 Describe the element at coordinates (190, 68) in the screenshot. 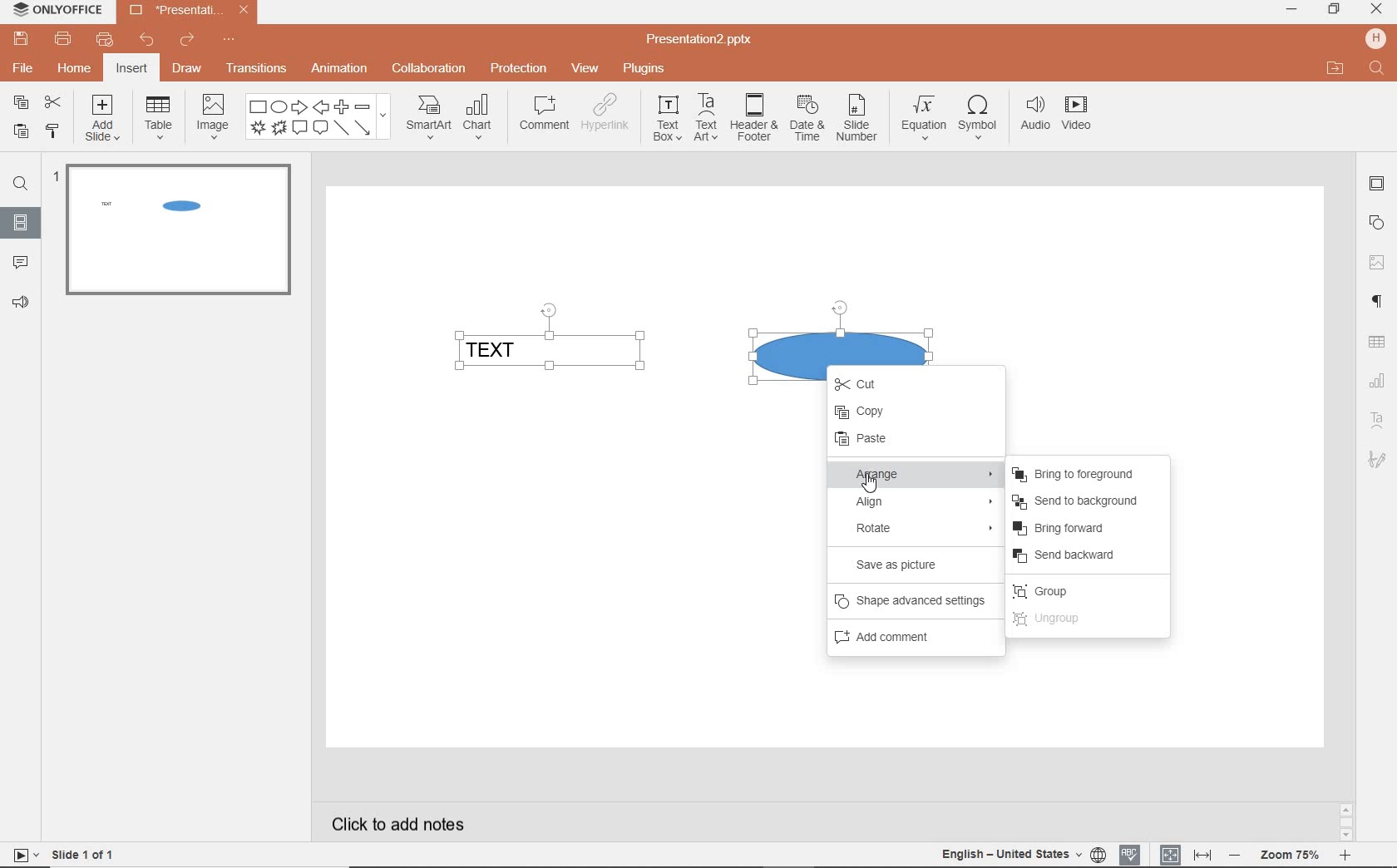

I see `draw` at that location.